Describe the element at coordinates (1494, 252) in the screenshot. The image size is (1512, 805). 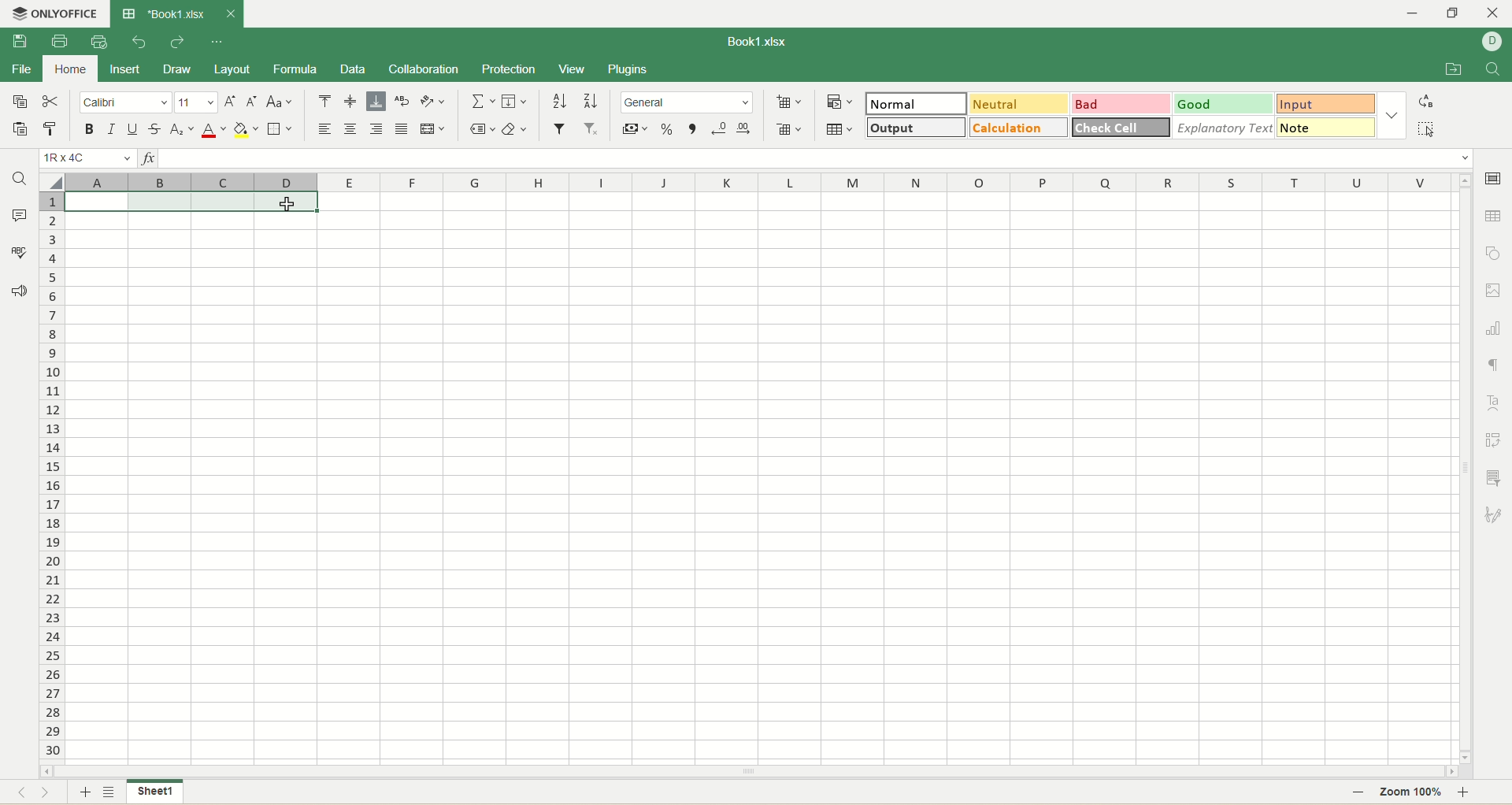
I see `object settings` at that location.